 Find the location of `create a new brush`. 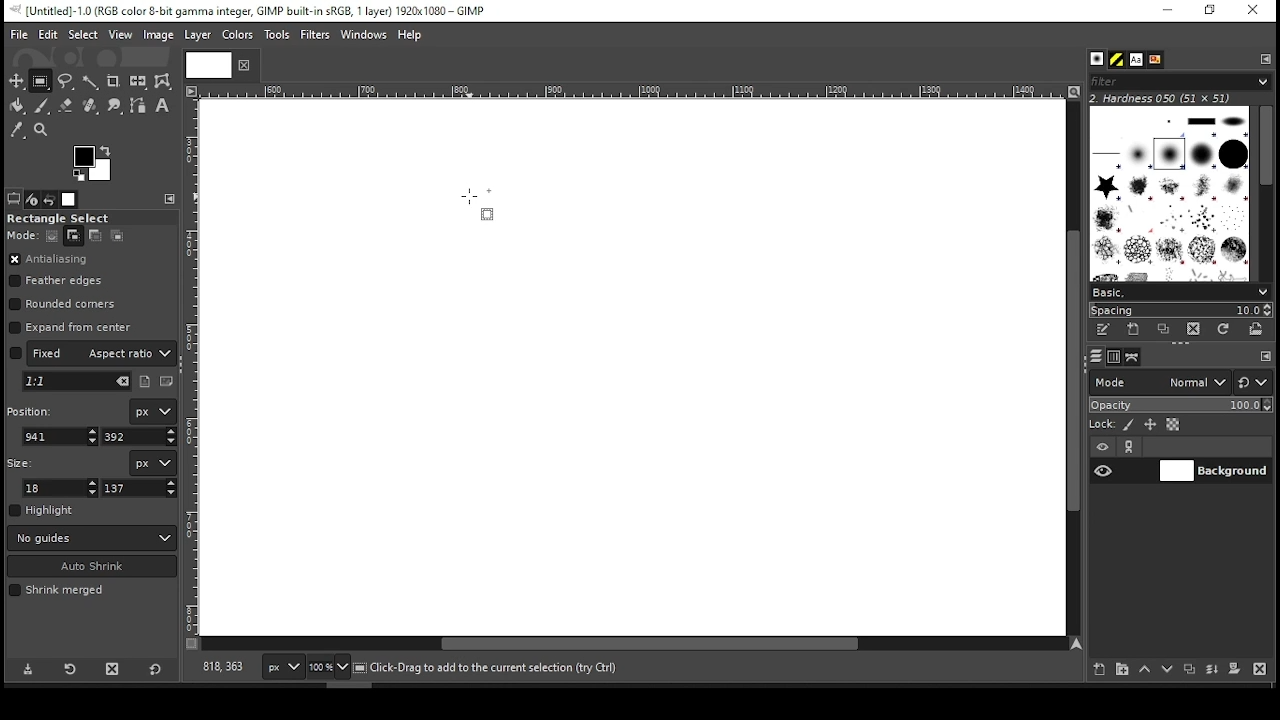

create a new brush is located at coordinates (1136, 329).